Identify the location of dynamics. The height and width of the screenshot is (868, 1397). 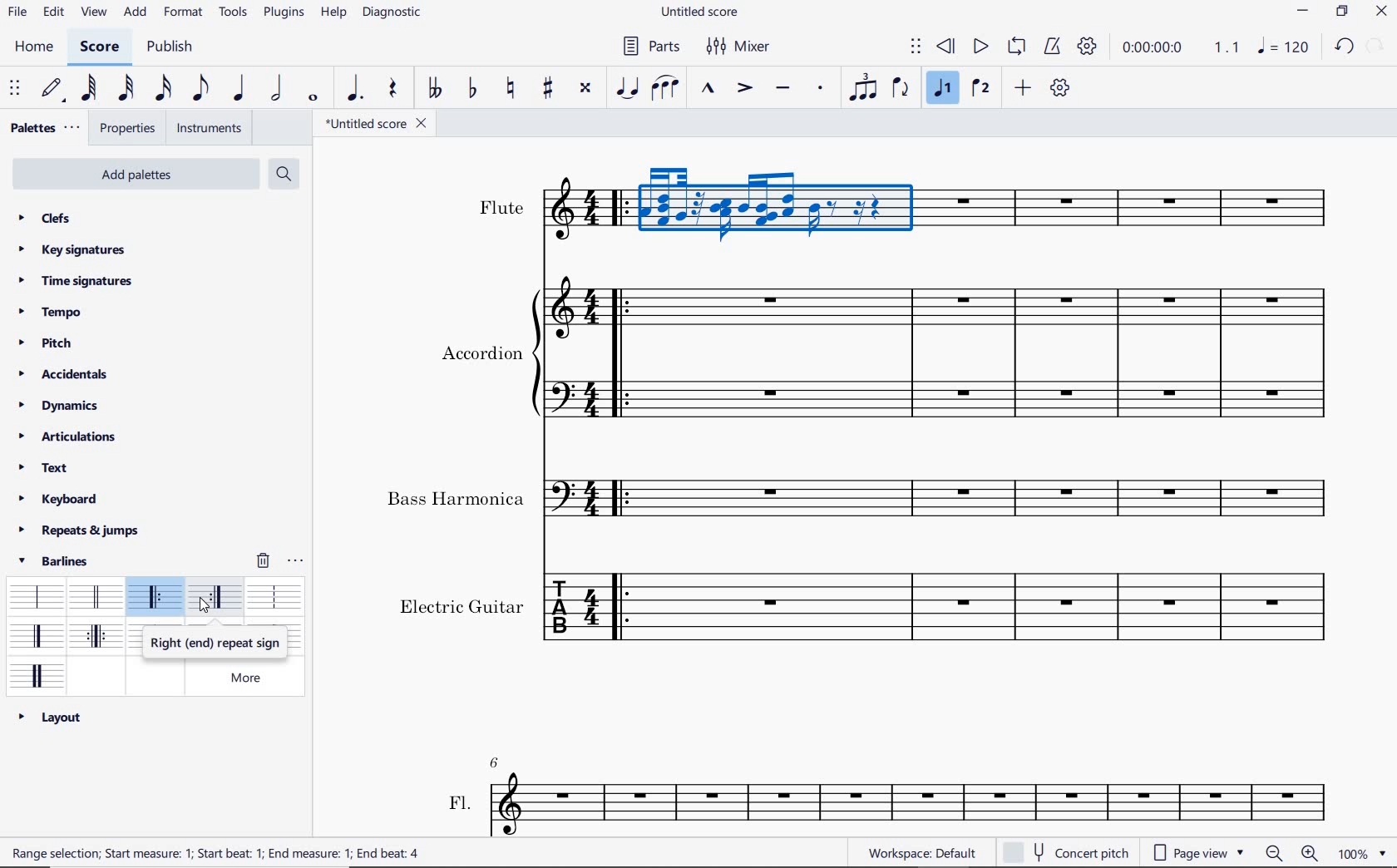
(58, 406).